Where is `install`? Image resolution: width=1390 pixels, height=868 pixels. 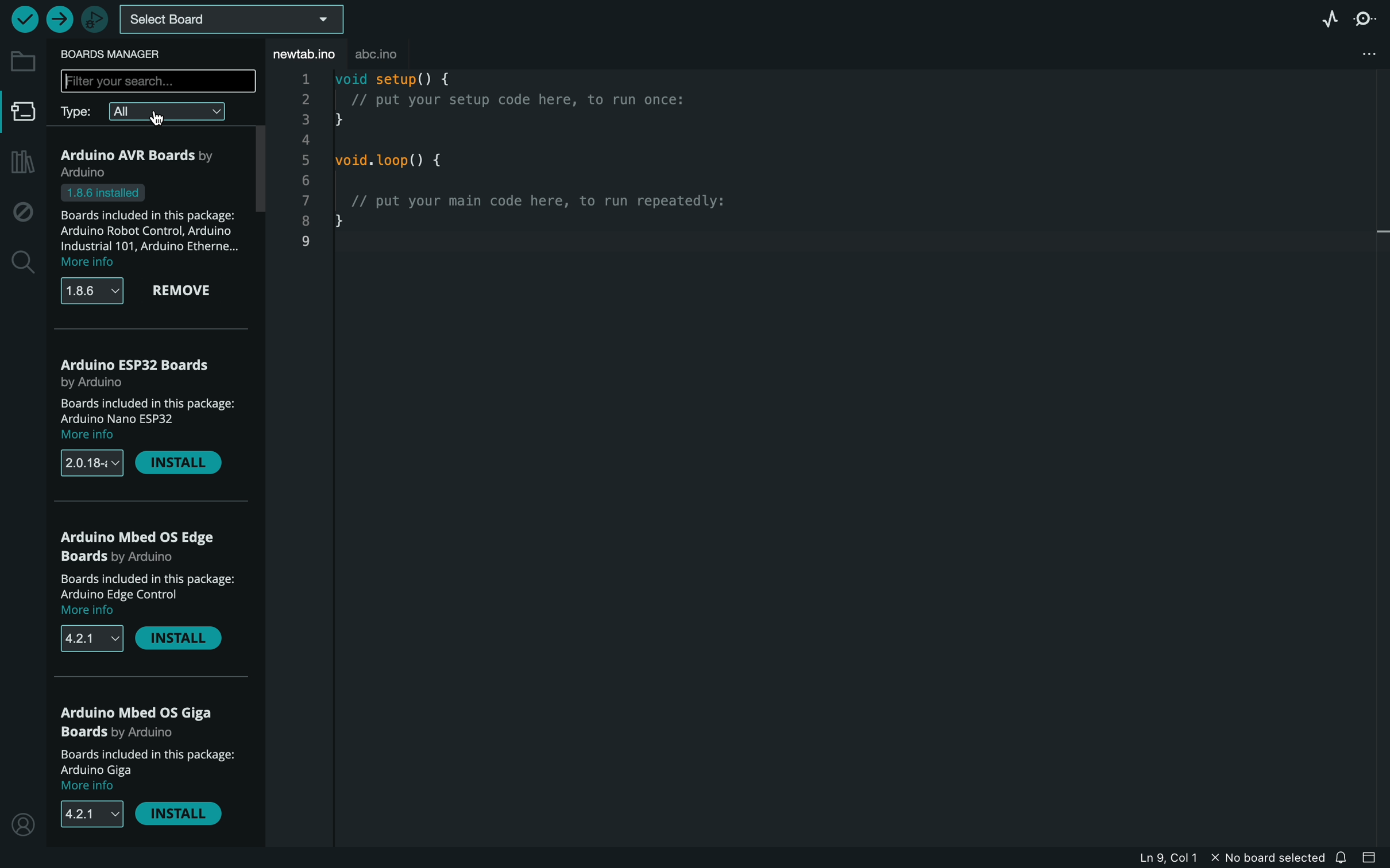 install is located at coordinates (179, 465).